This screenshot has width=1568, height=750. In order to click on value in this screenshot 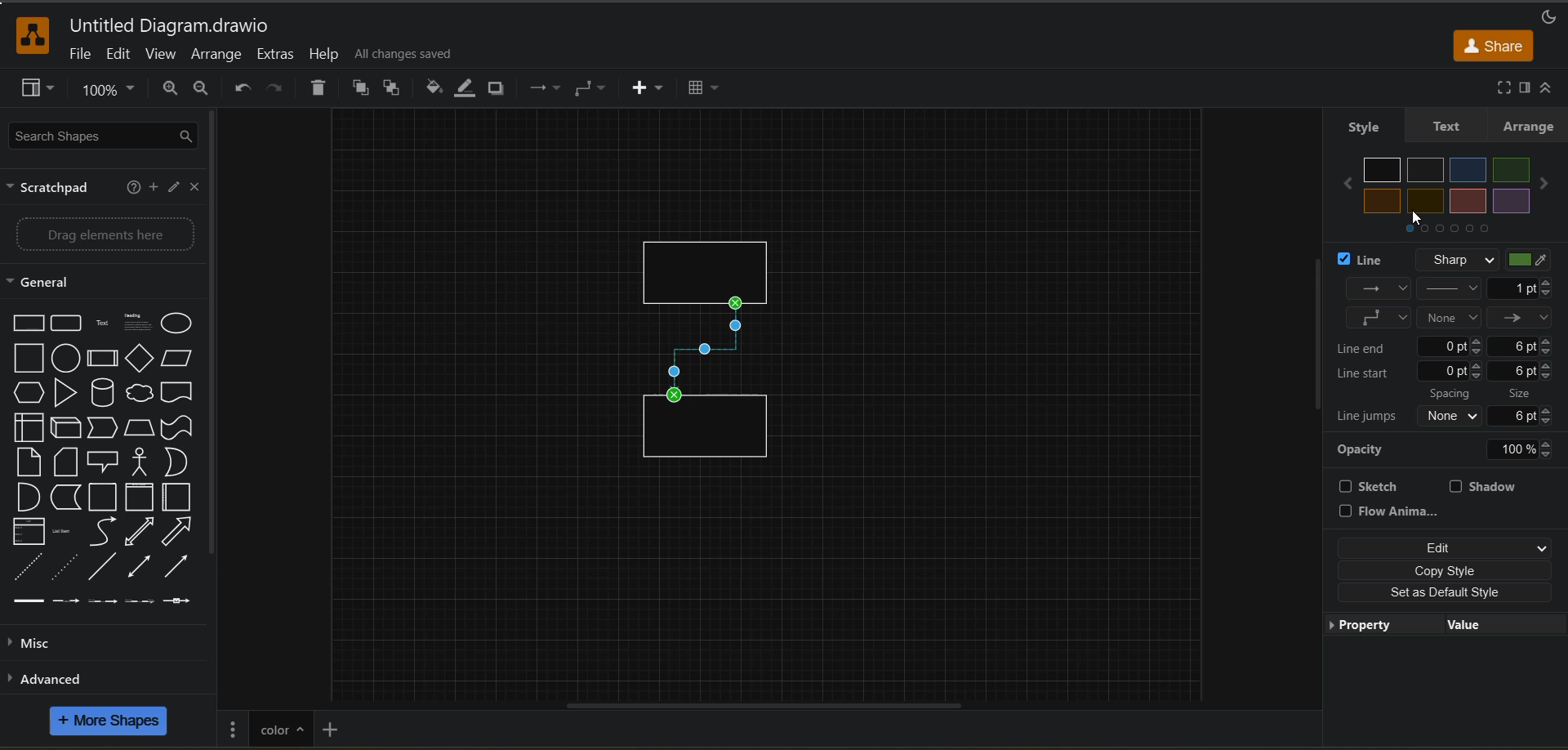, I will do `click(1459, 626)`.